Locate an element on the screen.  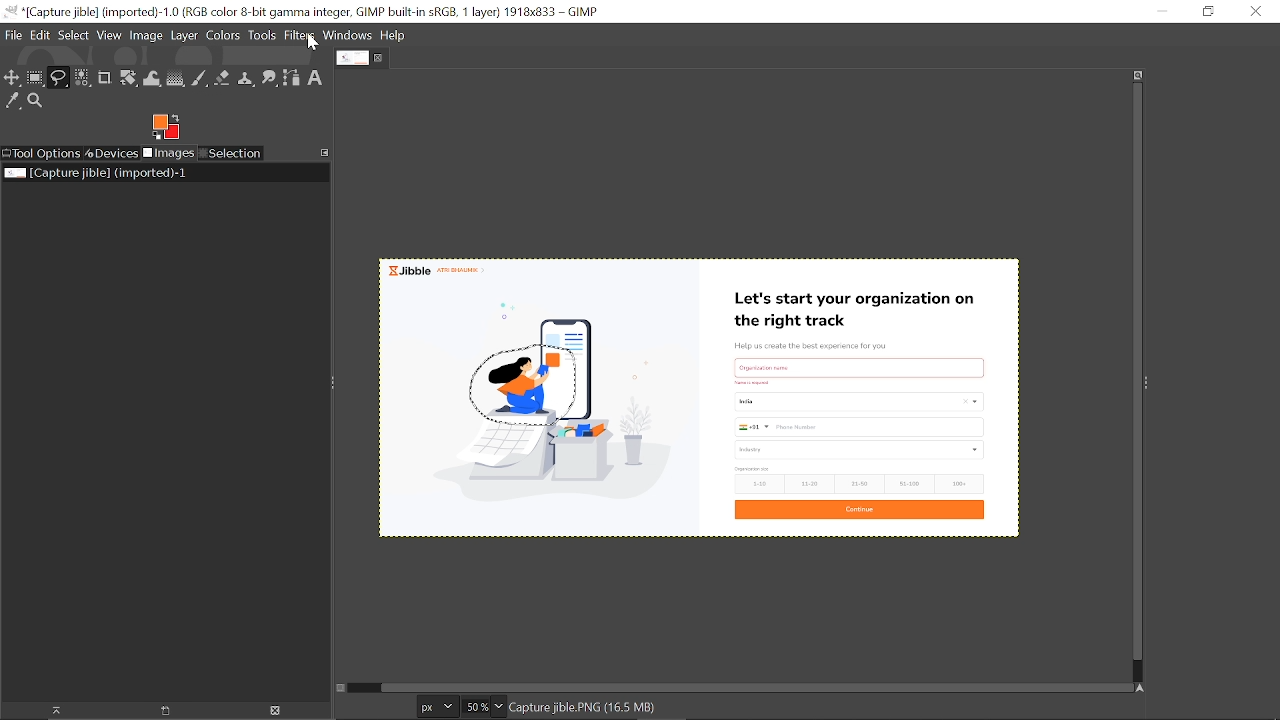
Delete is located at coordinates (274, 711).